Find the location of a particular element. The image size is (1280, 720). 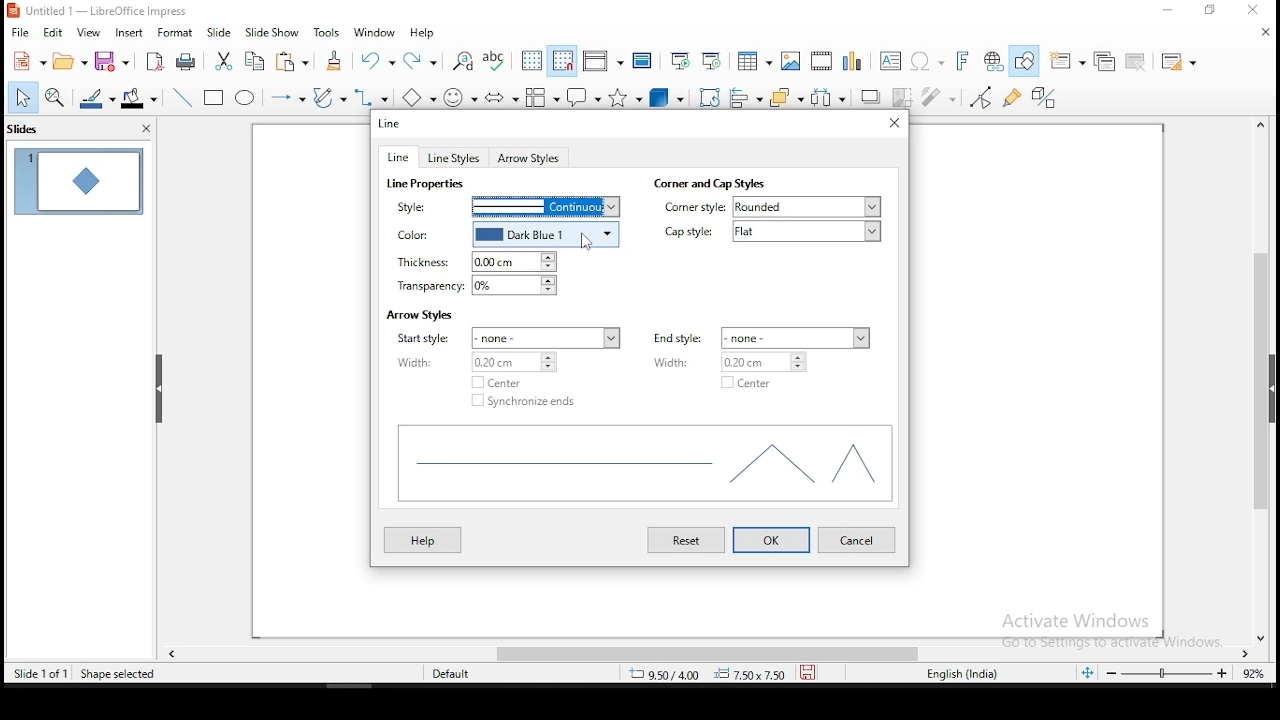

Minimize sidebar is located at coordinates (160, 390).